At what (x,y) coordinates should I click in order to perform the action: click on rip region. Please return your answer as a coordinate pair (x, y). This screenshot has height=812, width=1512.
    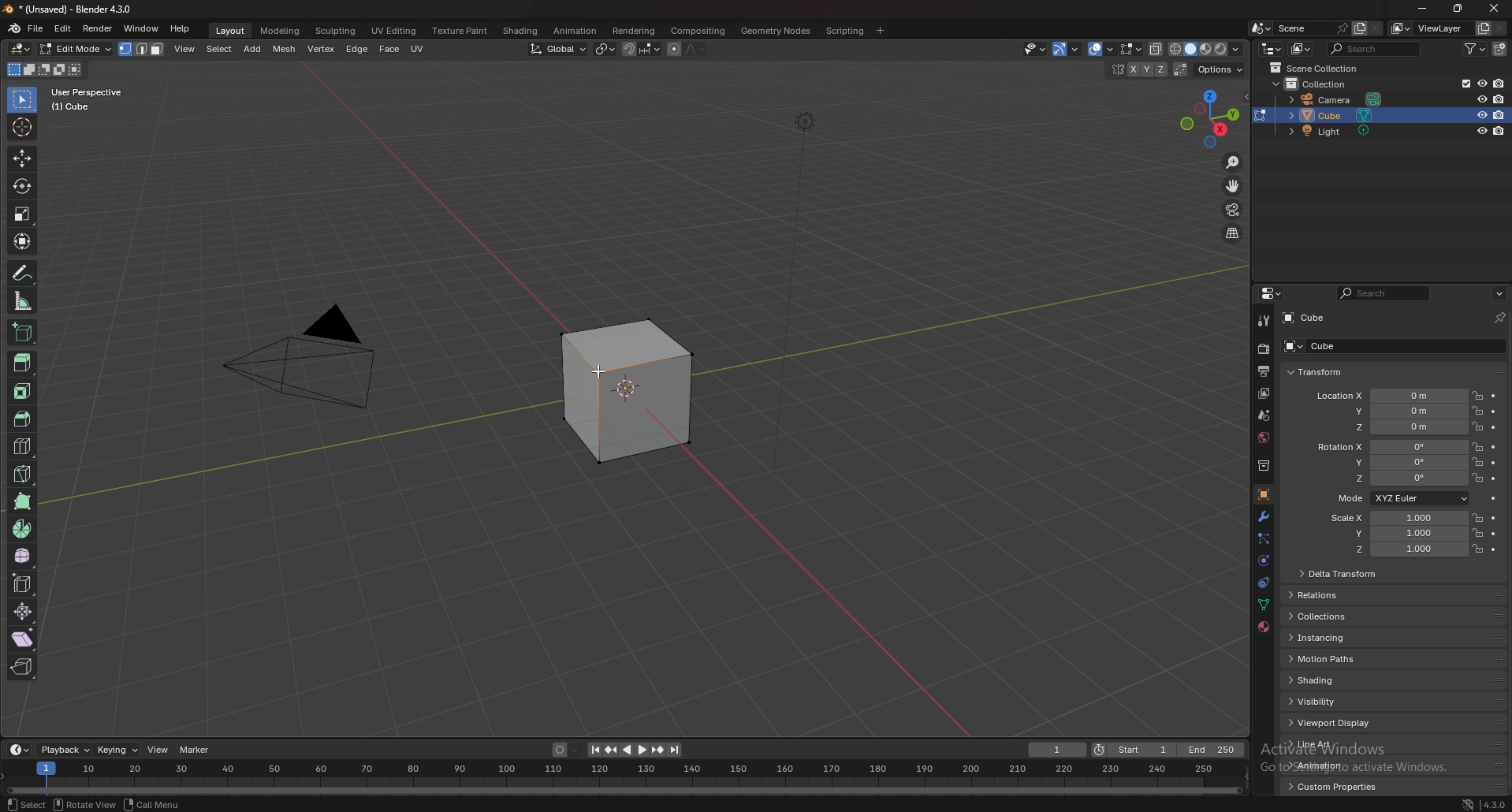
    Looking at the image, I should click on (22, 668).